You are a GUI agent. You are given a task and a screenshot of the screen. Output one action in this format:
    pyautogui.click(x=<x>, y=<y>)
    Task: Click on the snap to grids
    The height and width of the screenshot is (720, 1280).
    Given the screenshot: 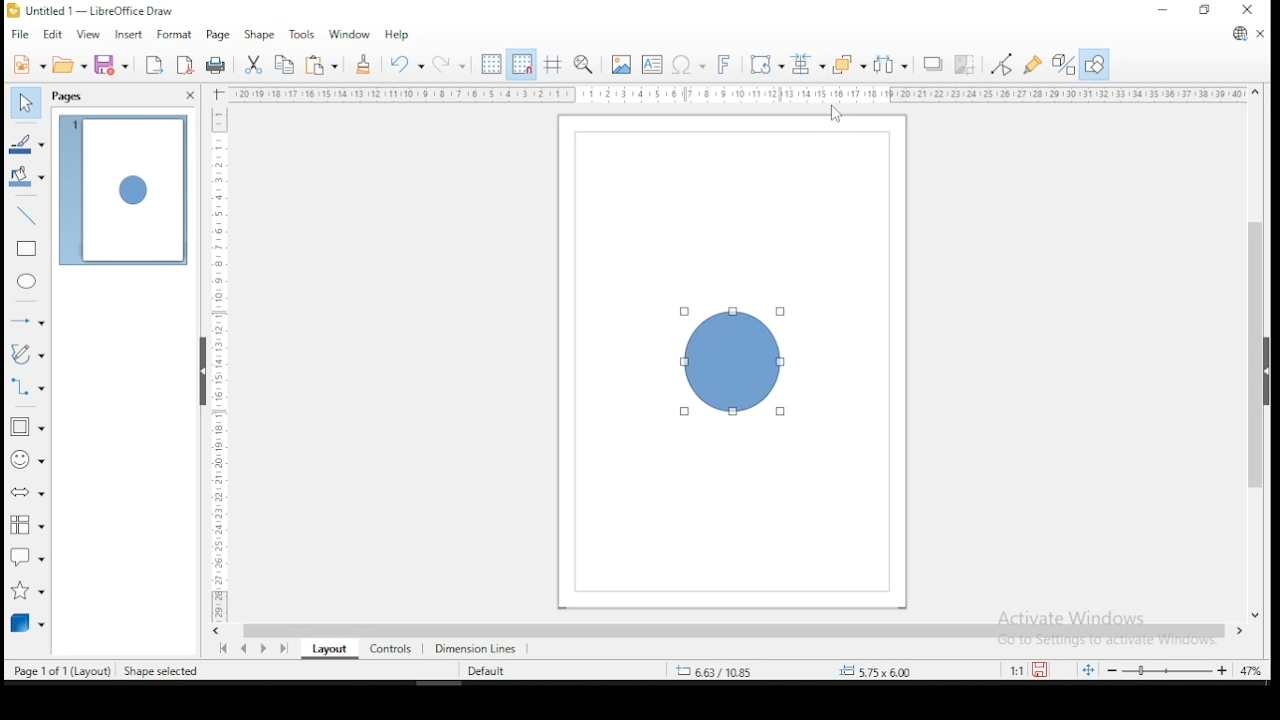 What is the action you would take?
    pyautogui.click(x=521, y=64)
    